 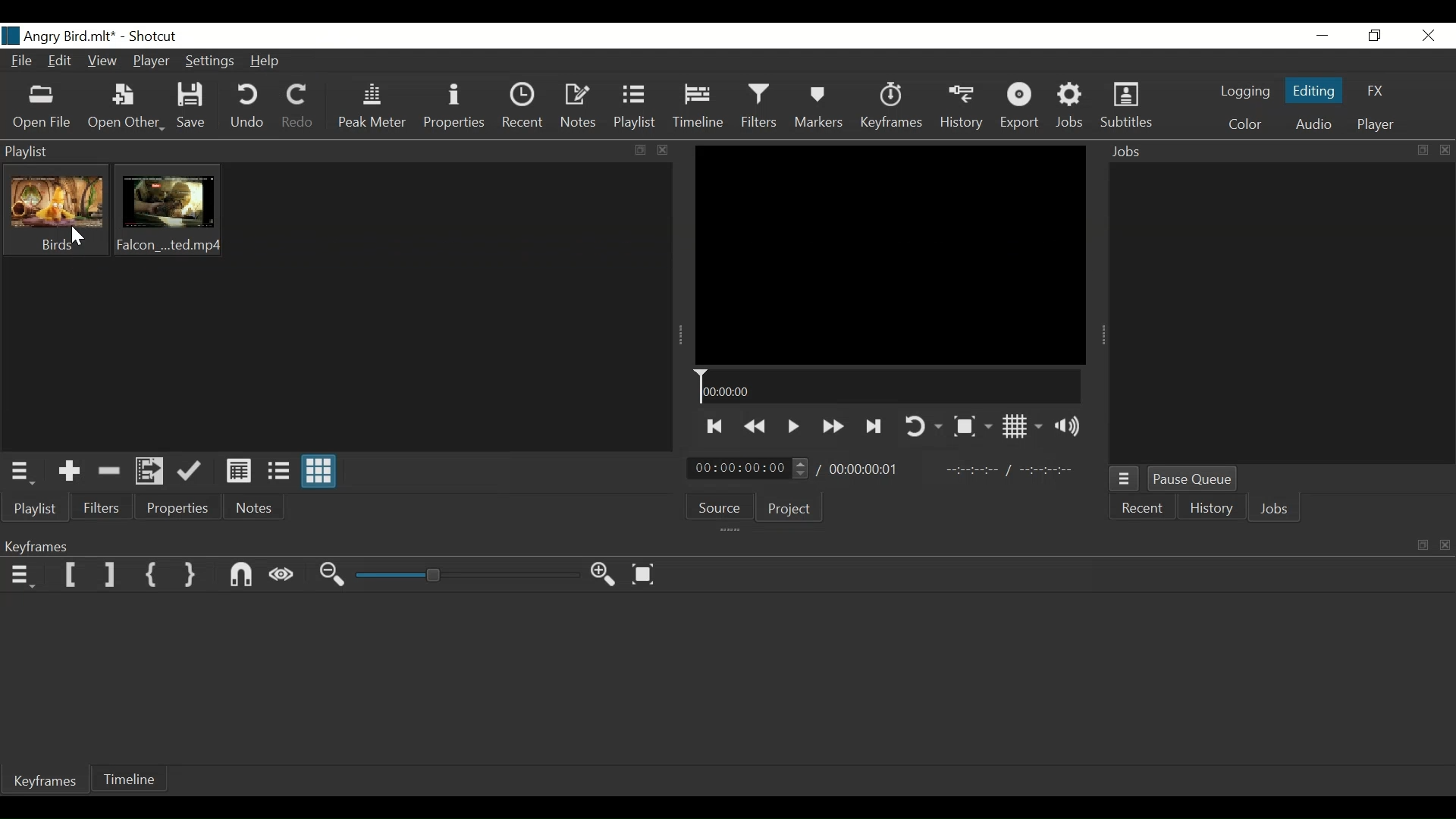 I want to click on Playlist menu, so click(x=20, y=472).